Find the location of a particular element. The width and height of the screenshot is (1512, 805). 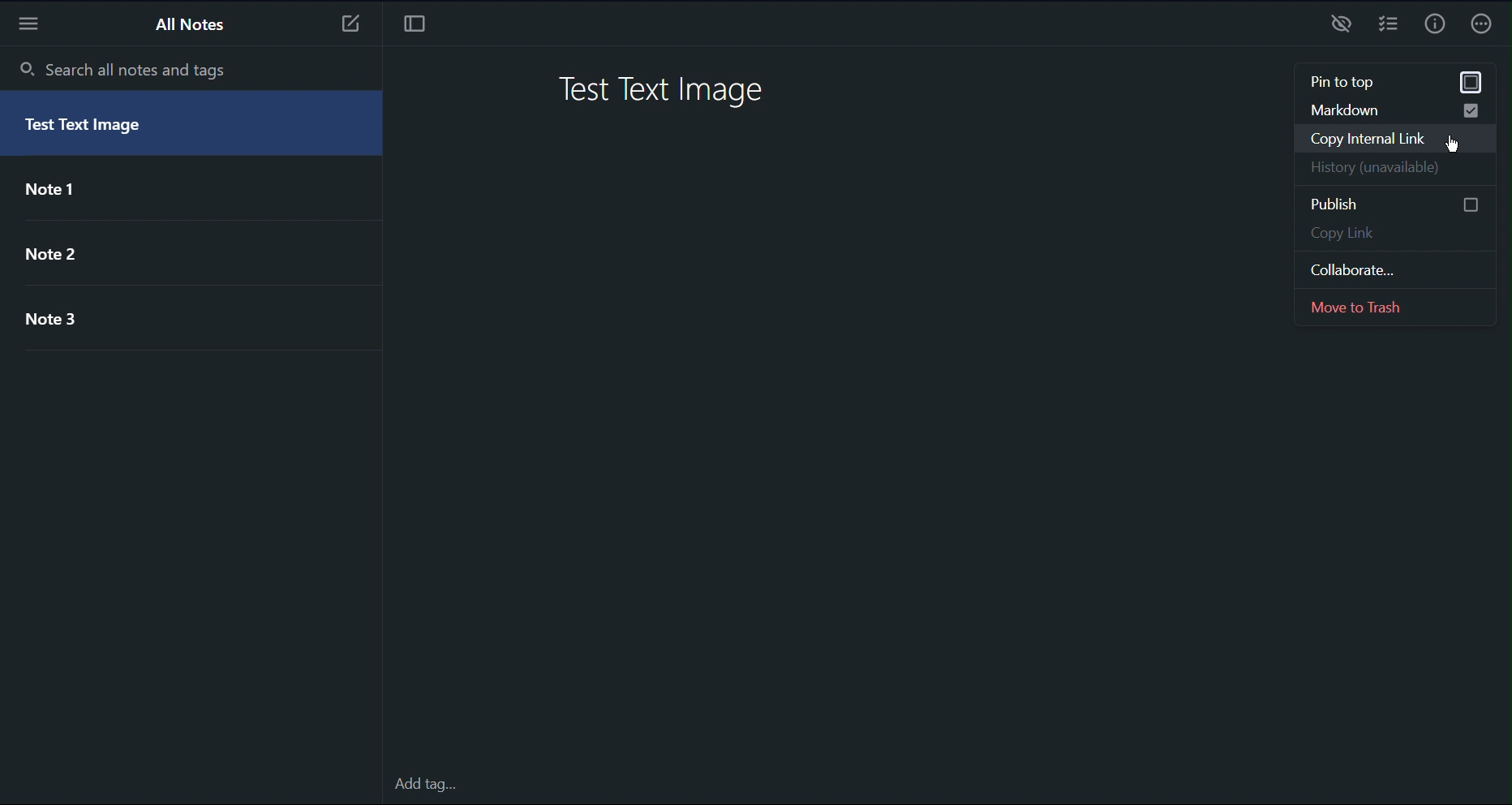

Test Text Image is located at coordinates (93, 130).